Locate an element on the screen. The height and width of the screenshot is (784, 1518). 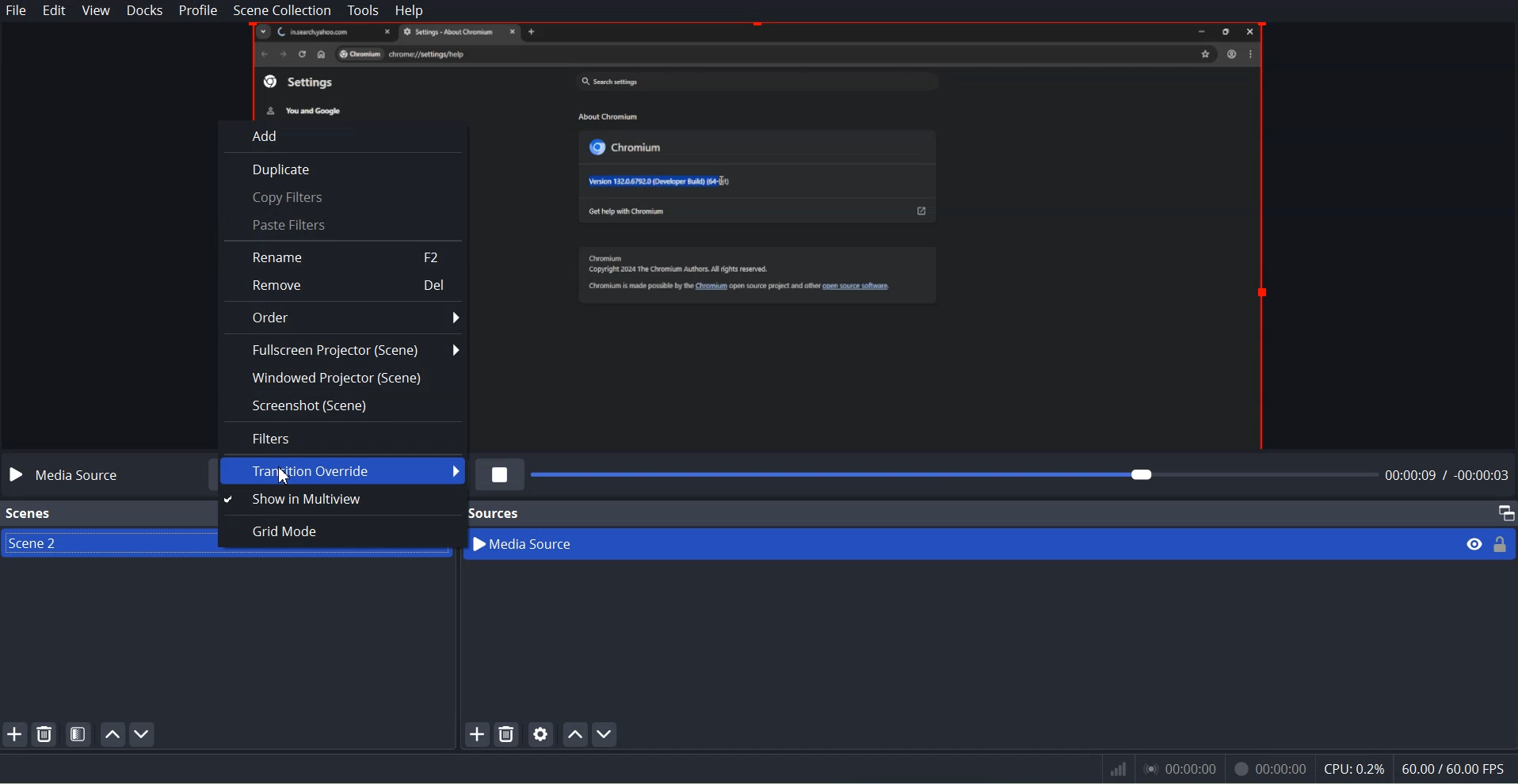
Open Scene Filter is located at coordinates (79, 733).